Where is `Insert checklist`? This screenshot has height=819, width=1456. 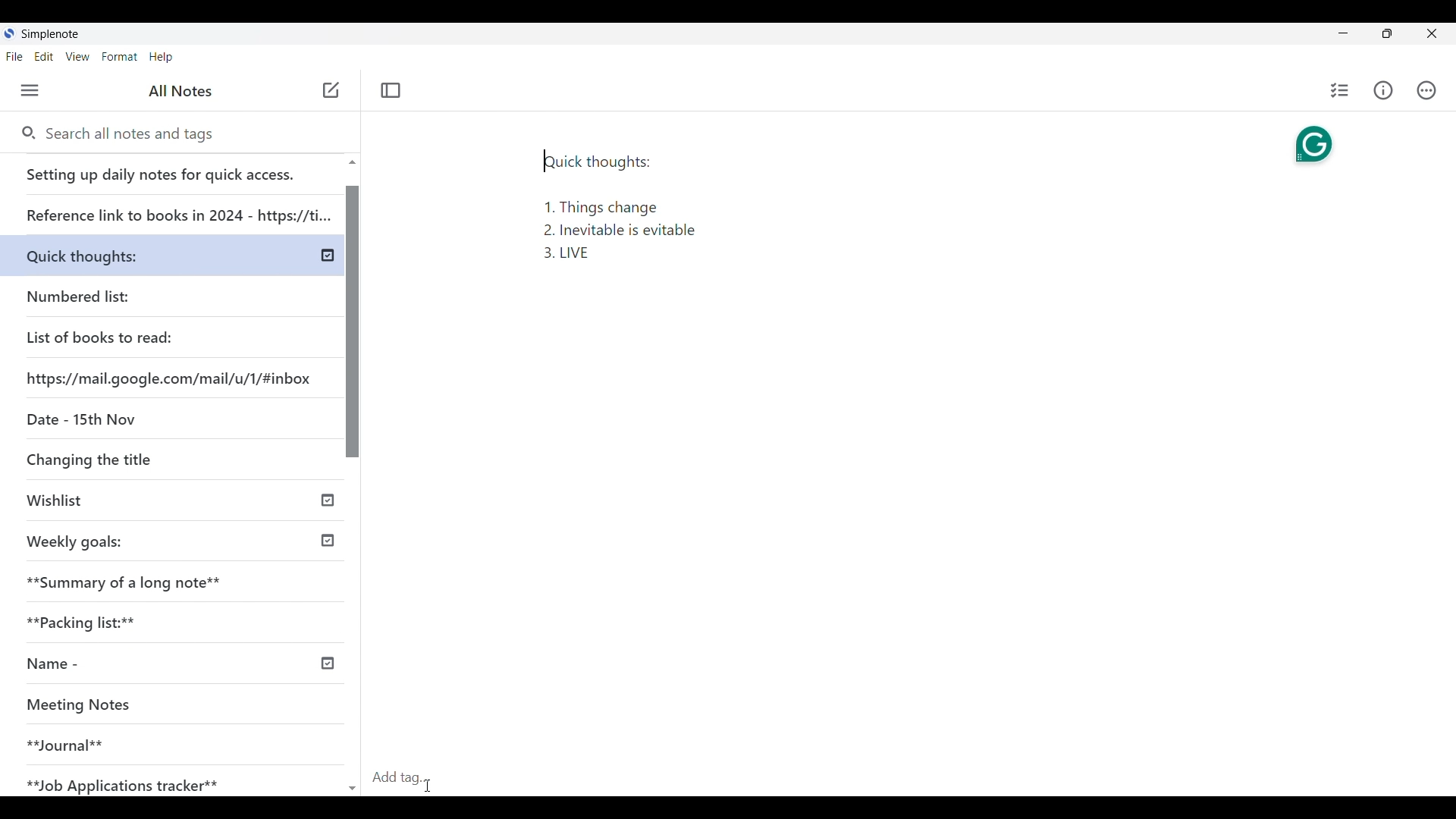 Insert checklist is located at coordinates (1339, 90).